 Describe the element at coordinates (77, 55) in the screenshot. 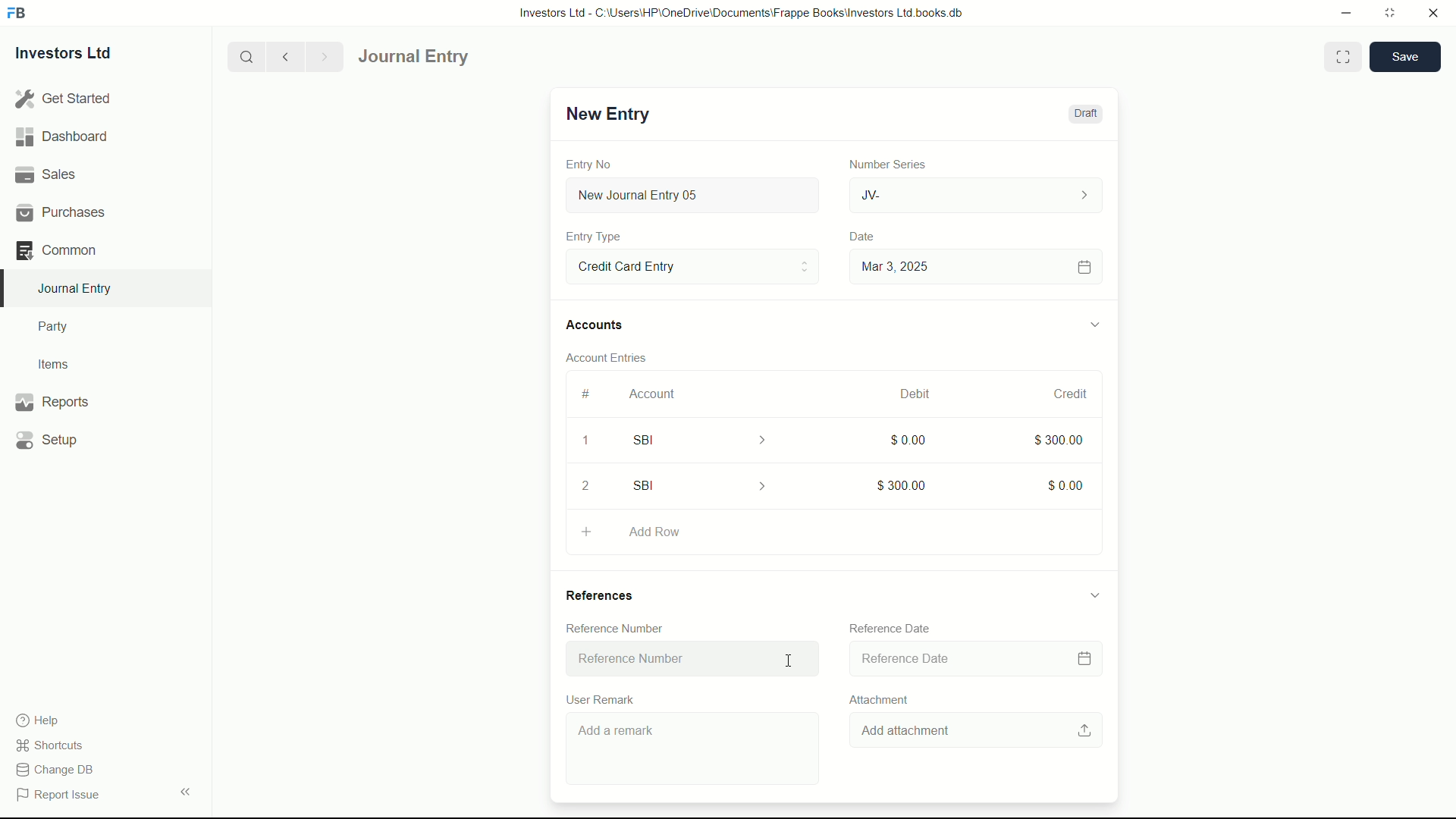

I see `Investors Ltd` at that location.